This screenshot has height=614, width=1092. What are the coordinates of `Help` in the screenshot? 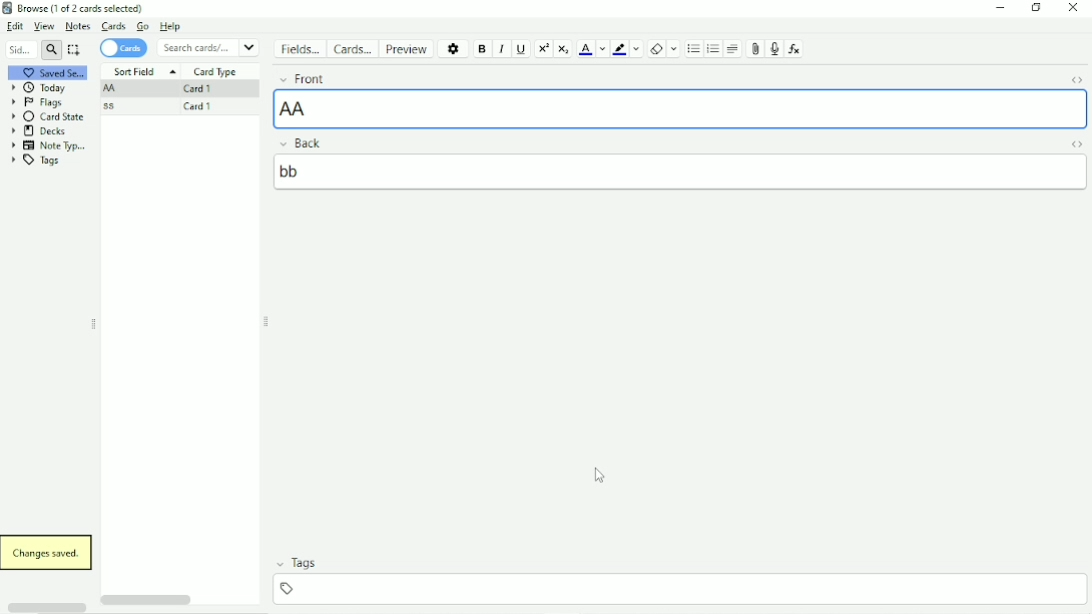 It's located at (176, 27).